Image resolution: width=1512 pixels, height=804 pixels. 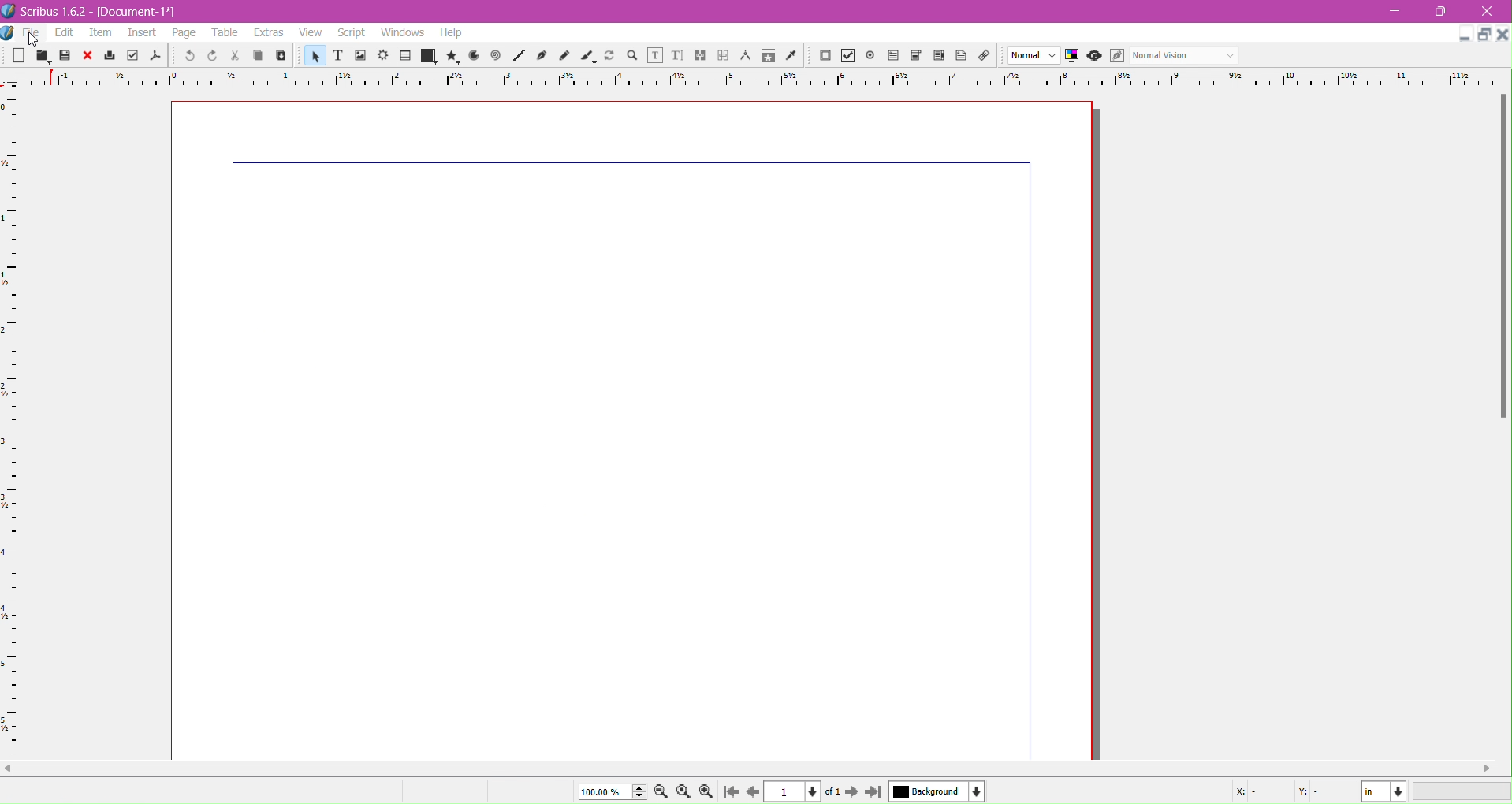 What do you see at coordinates (588, 57) in the screenshot?
I see `calligraphic lines` at bounding box center [588, 57].